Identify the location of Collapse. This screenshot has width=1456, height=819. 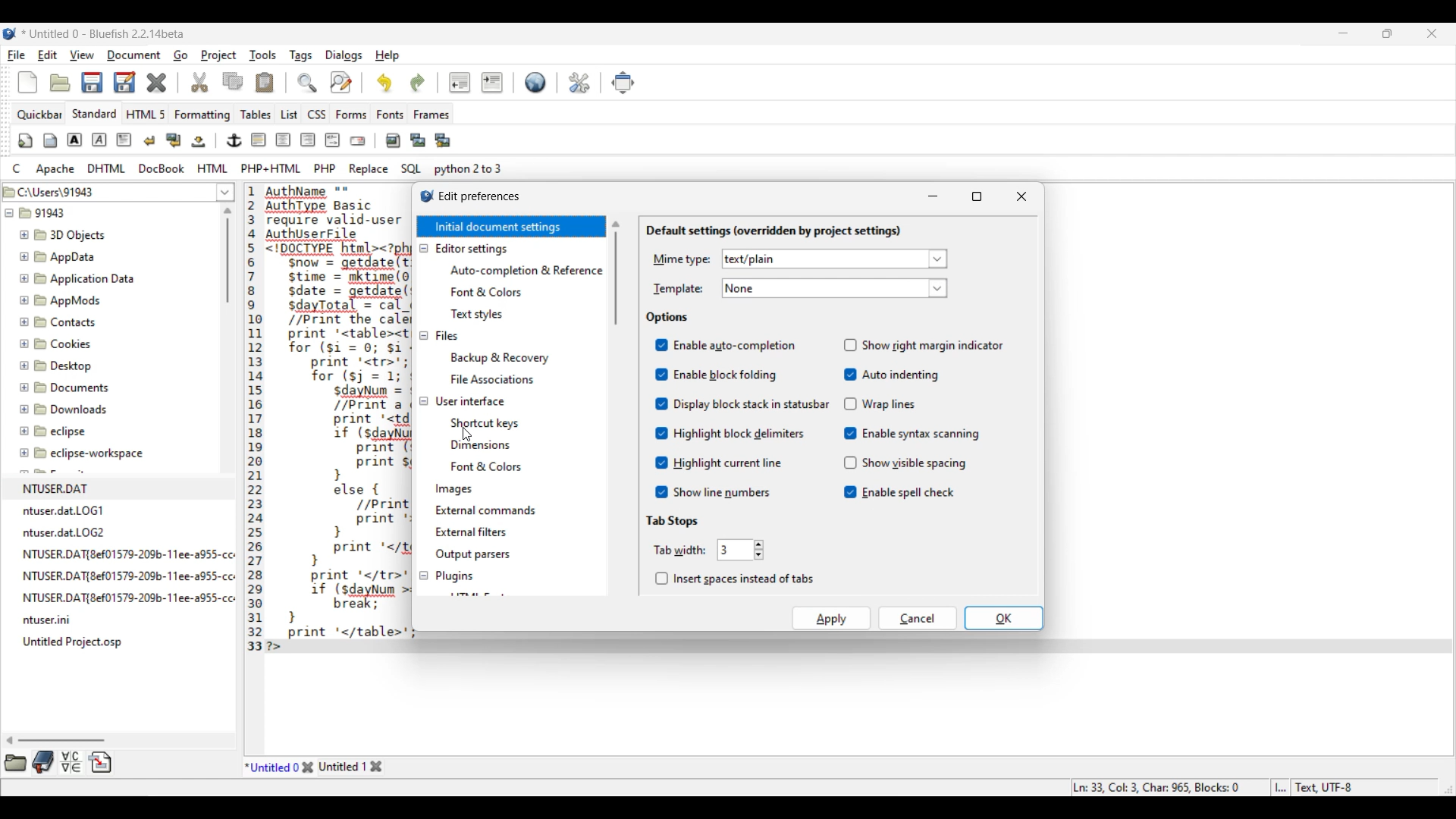
(423, 412).